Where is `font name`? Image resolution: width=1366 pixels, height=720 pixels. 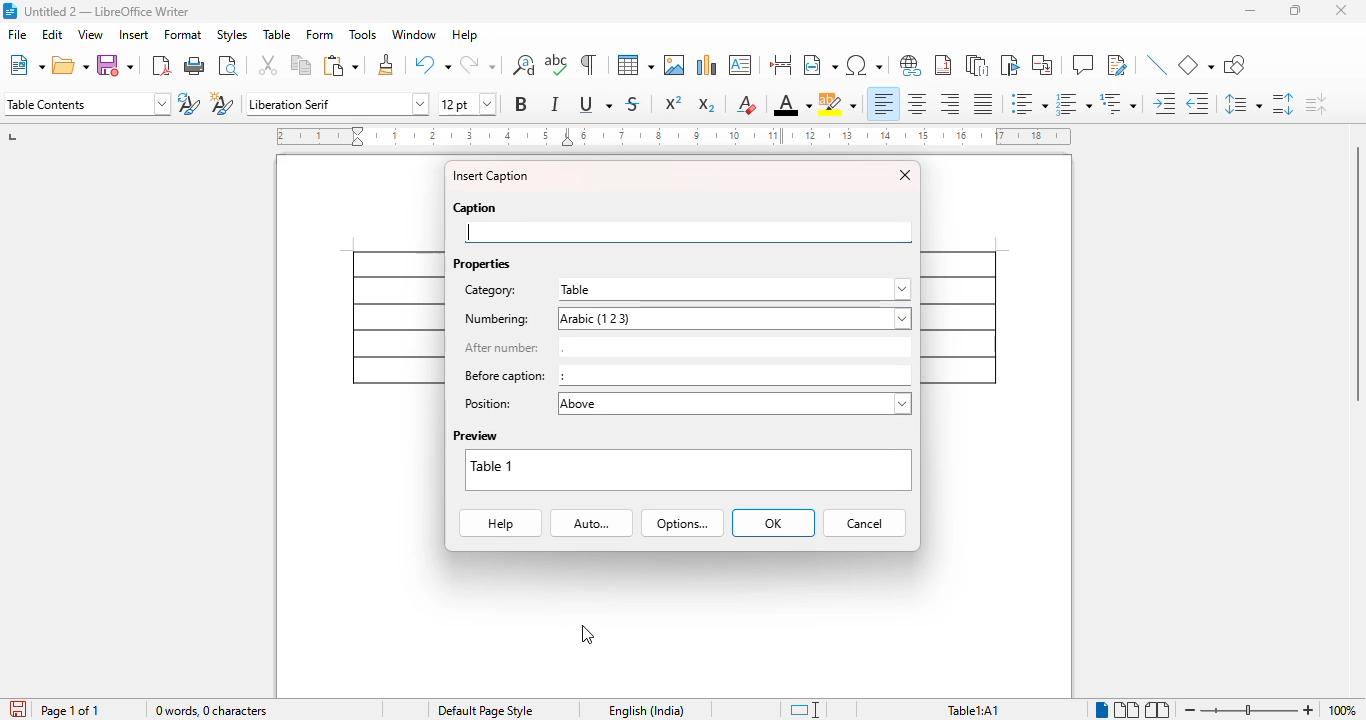 font name is located at coordinates (337, 105).